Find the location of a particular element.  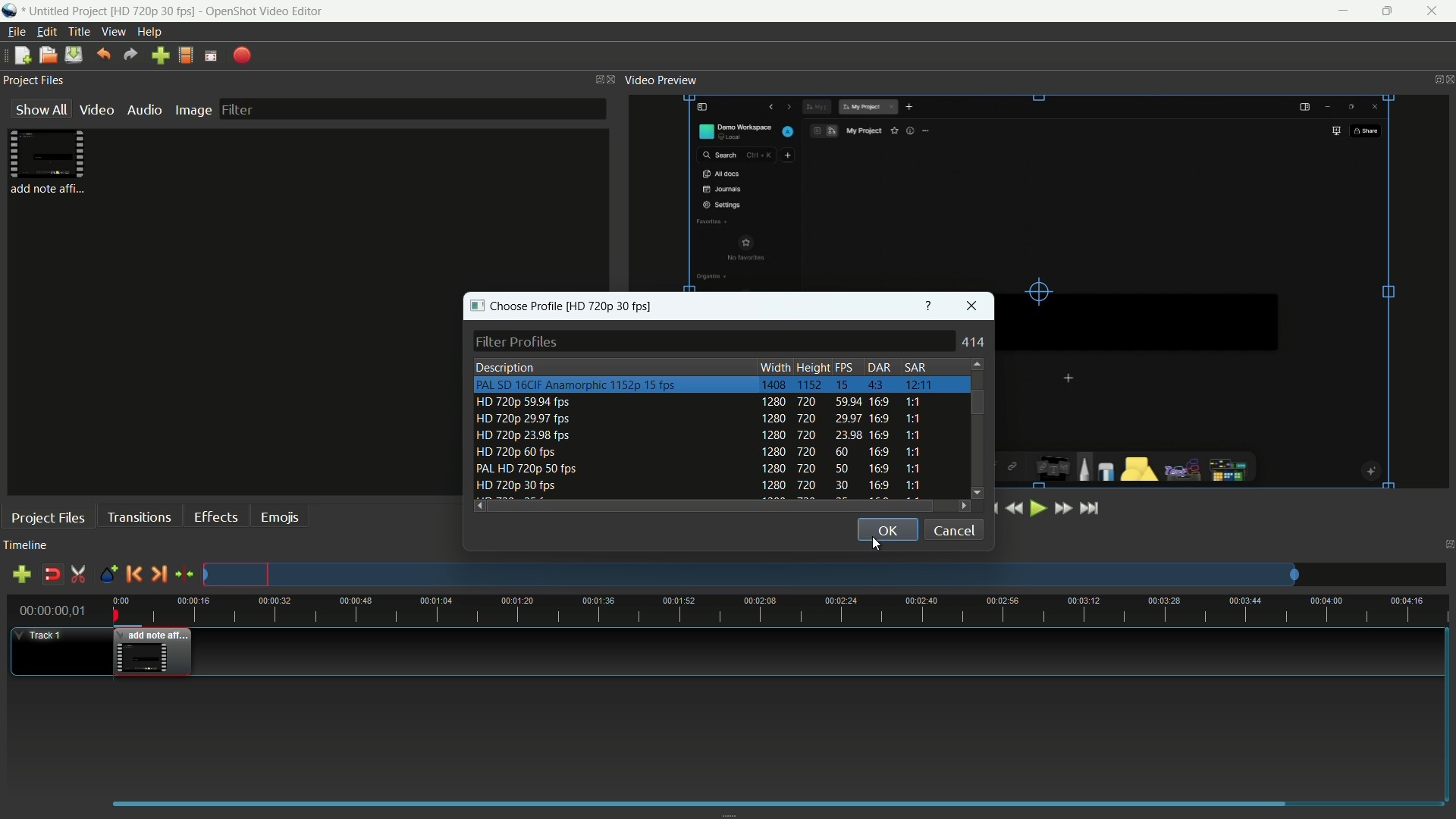

next marker is located at coordinates (159, 574).